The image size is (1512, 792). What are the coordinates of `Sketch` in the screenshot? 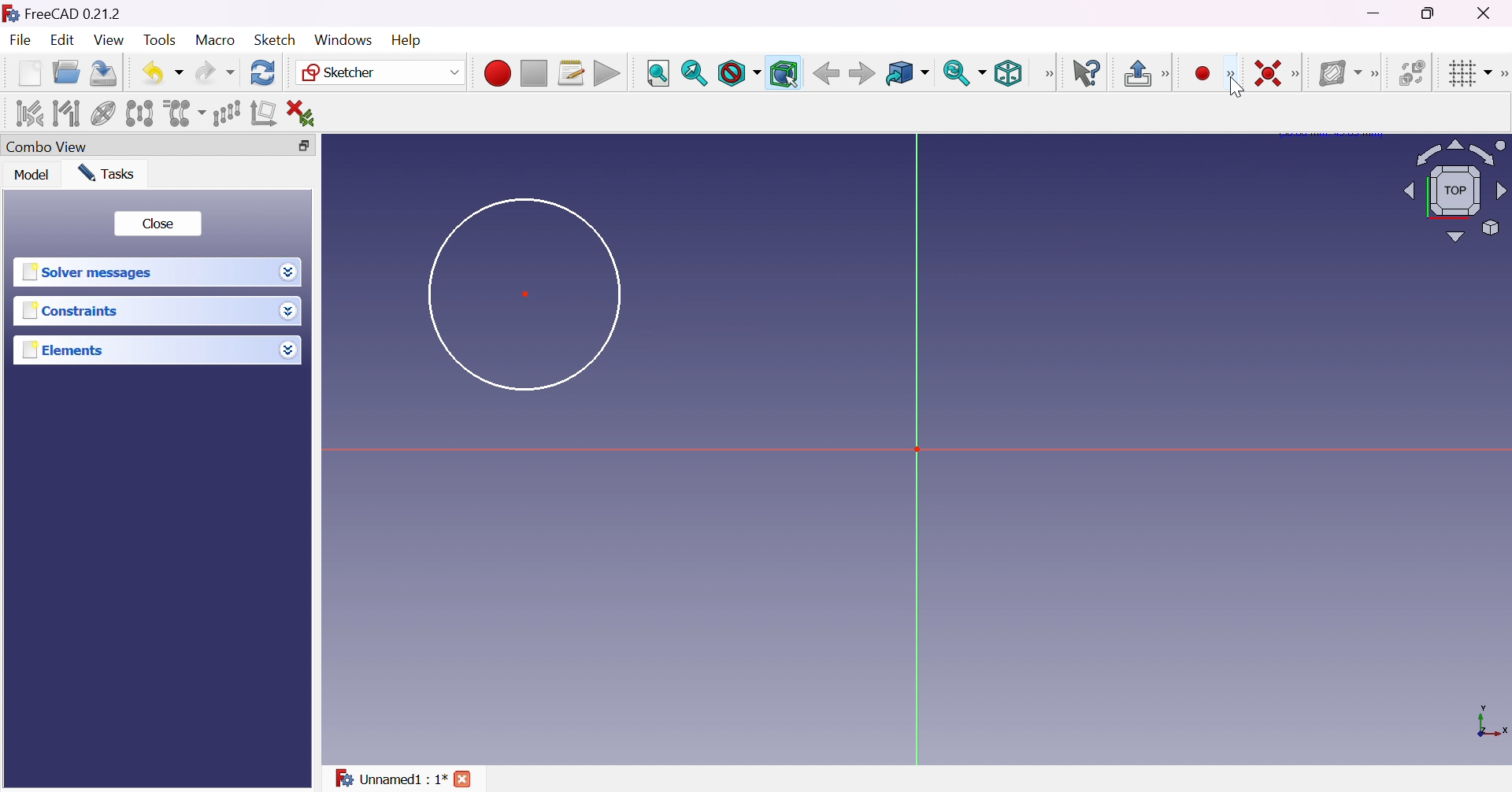 It's located at (274, 39).